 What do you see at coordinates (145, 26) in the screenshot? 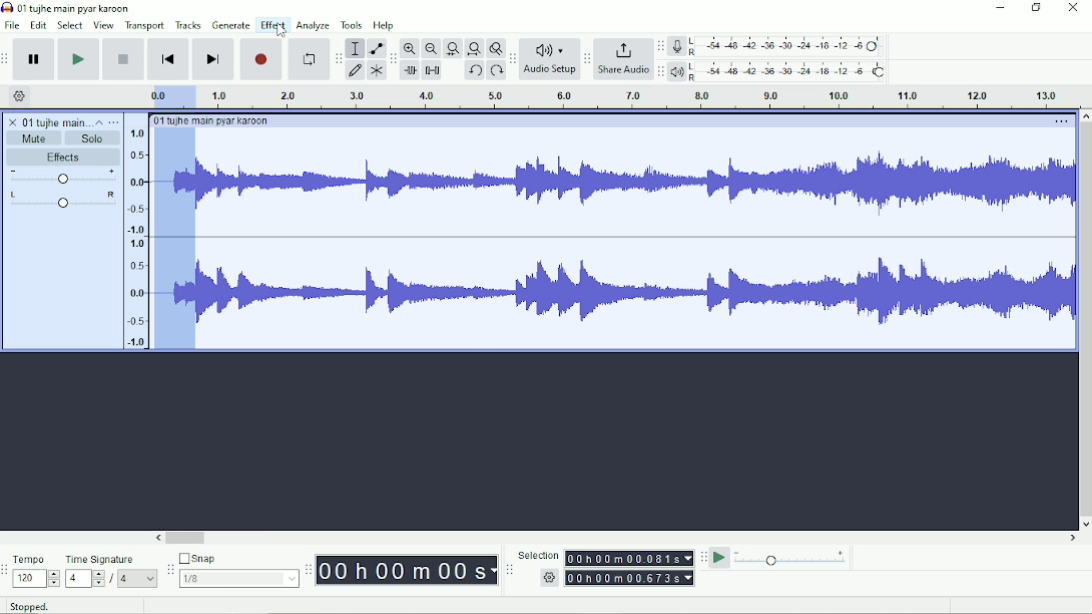
I see `Transport` at bounding box center [145, 26].